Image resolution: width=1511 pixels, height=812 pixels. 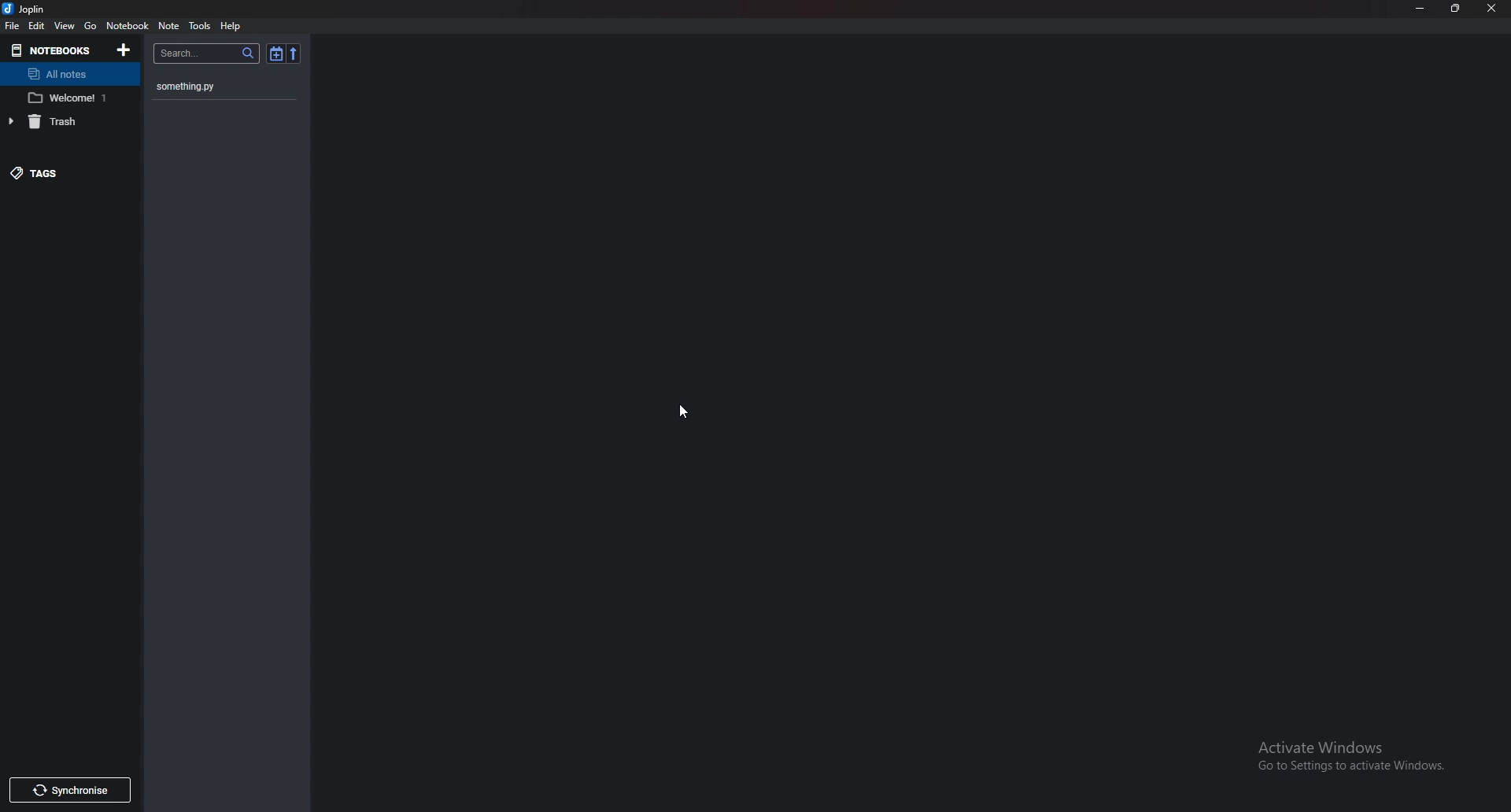 What do you see at coordinates (39, 26) in the screenshot?
I see `edit` at bounding box center [39, 26].